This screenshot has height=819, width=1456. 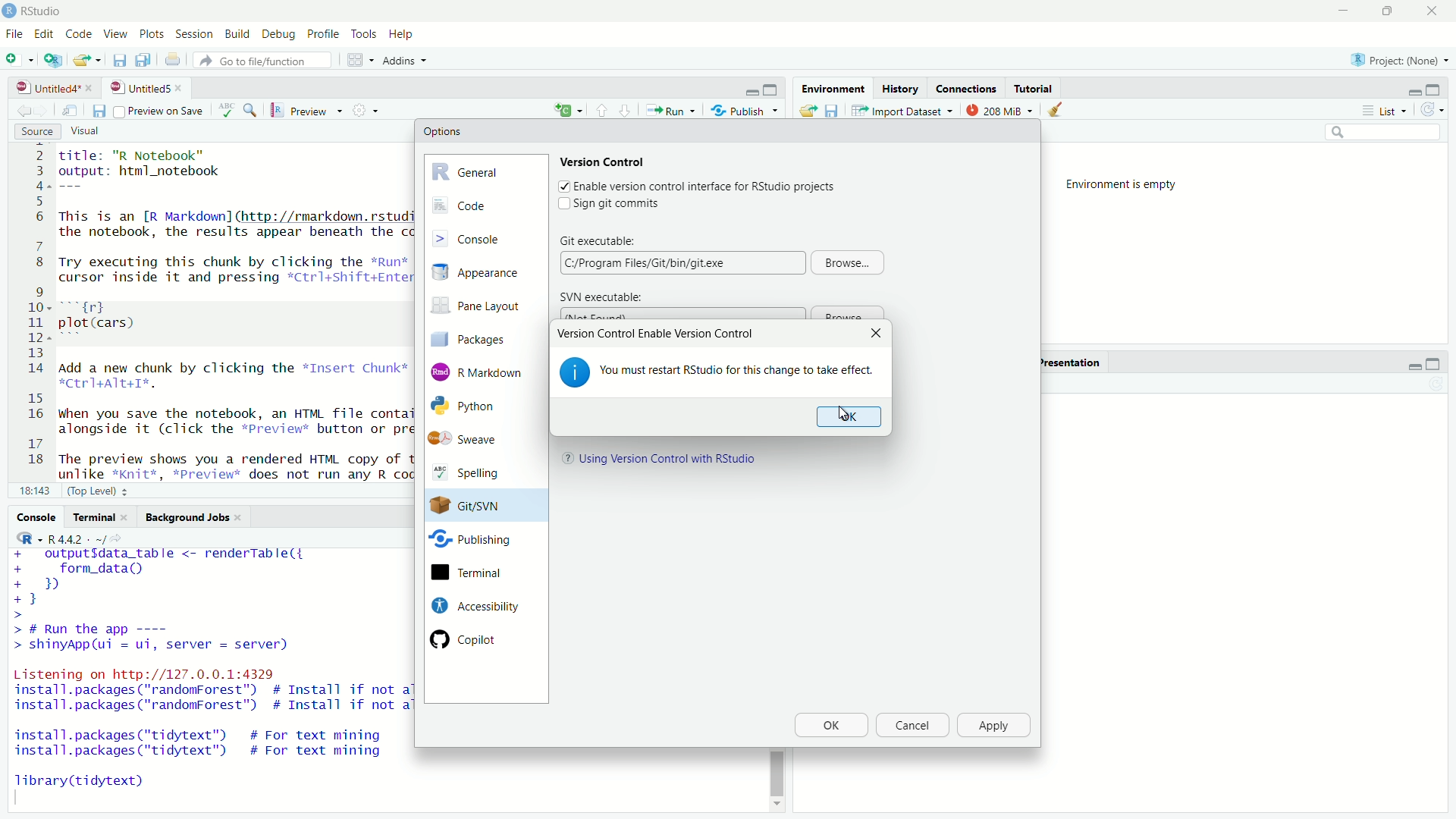 What do you see at coordinates (966, 88) in the screenshot?
I see `Connections` at bounding box center [966, 88].